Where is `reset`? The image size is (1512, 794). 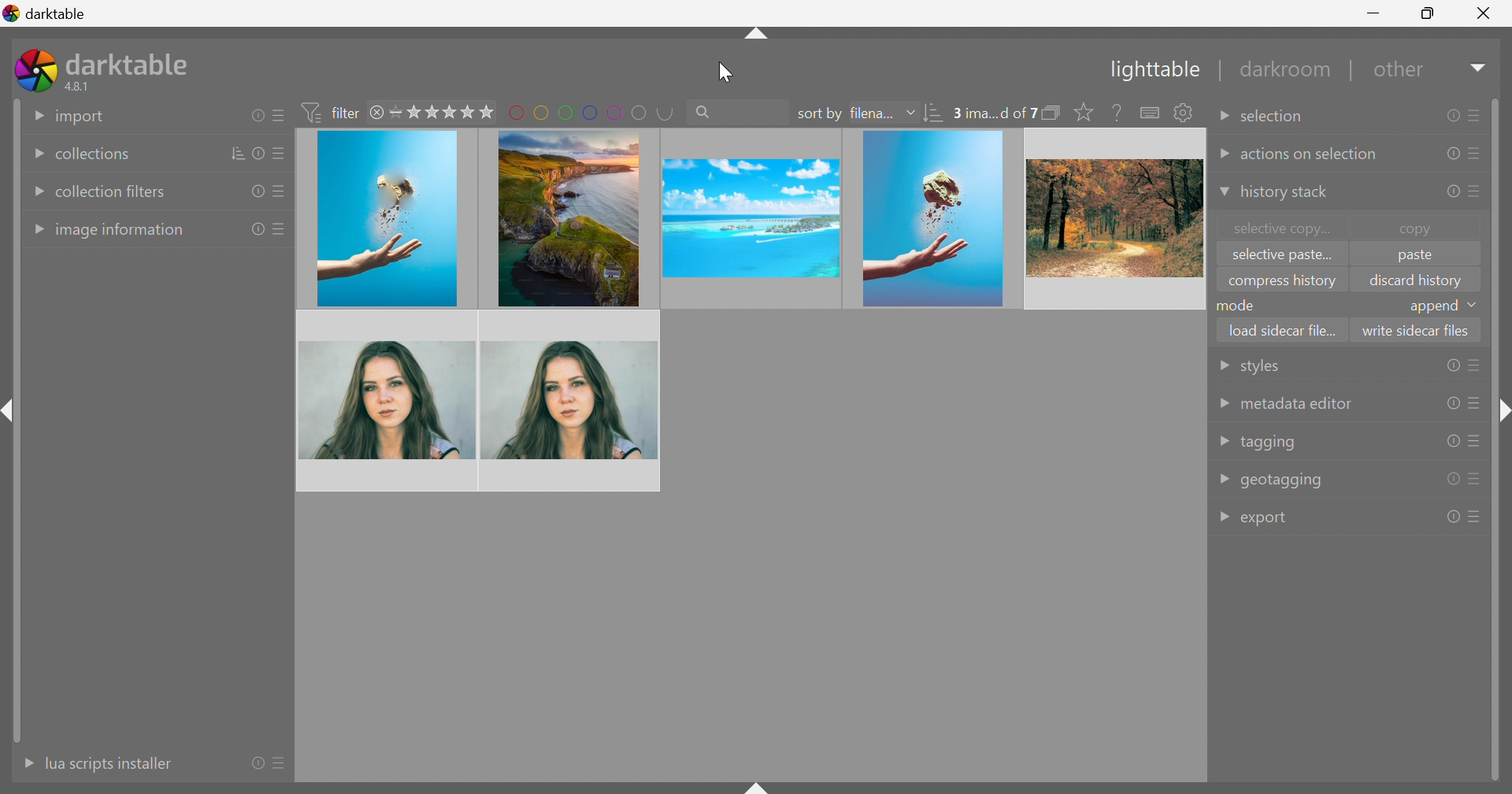 reset is located at coordinates (257, 230).